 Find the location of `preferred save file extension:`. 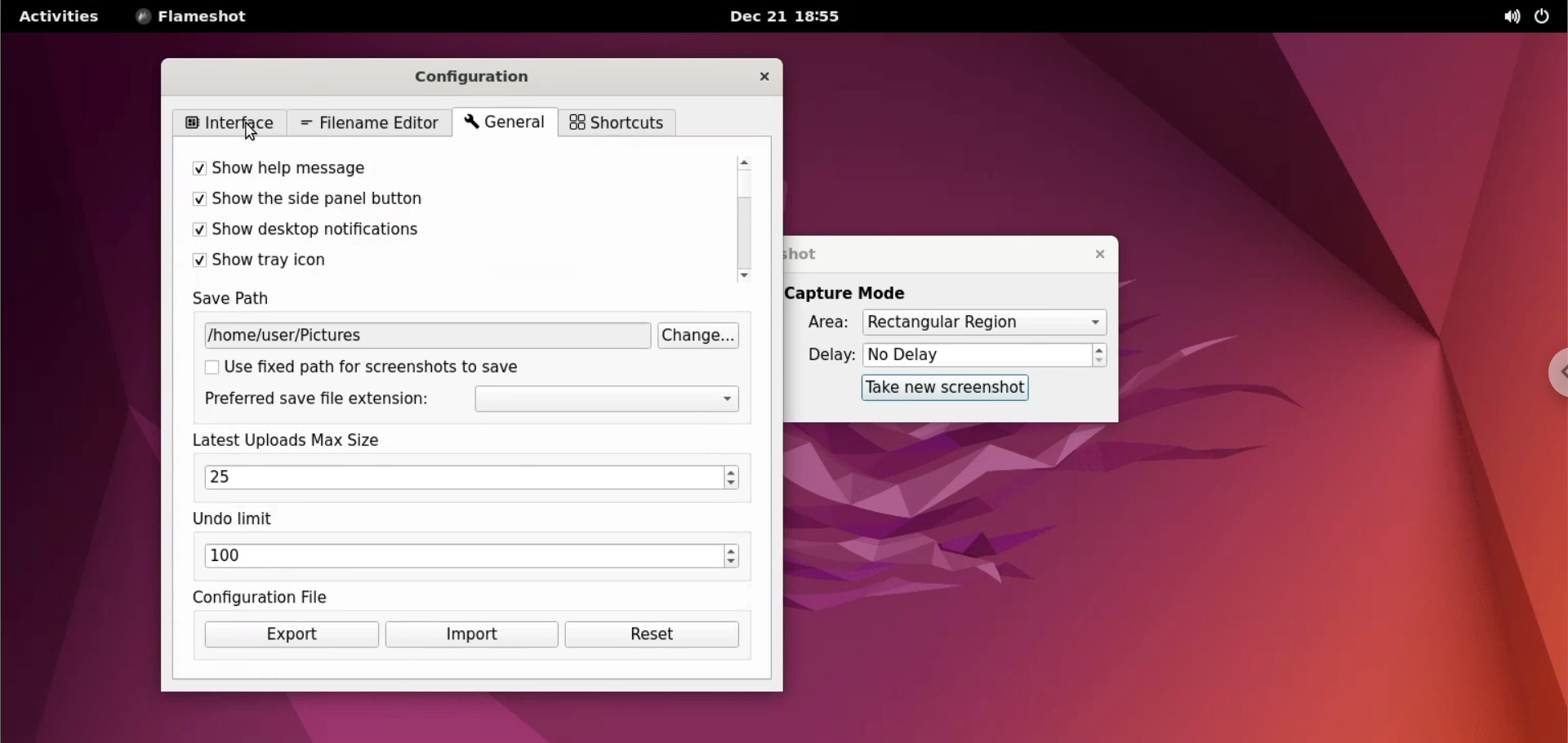

preferred save file extension: is located at coordinates (322, 399).